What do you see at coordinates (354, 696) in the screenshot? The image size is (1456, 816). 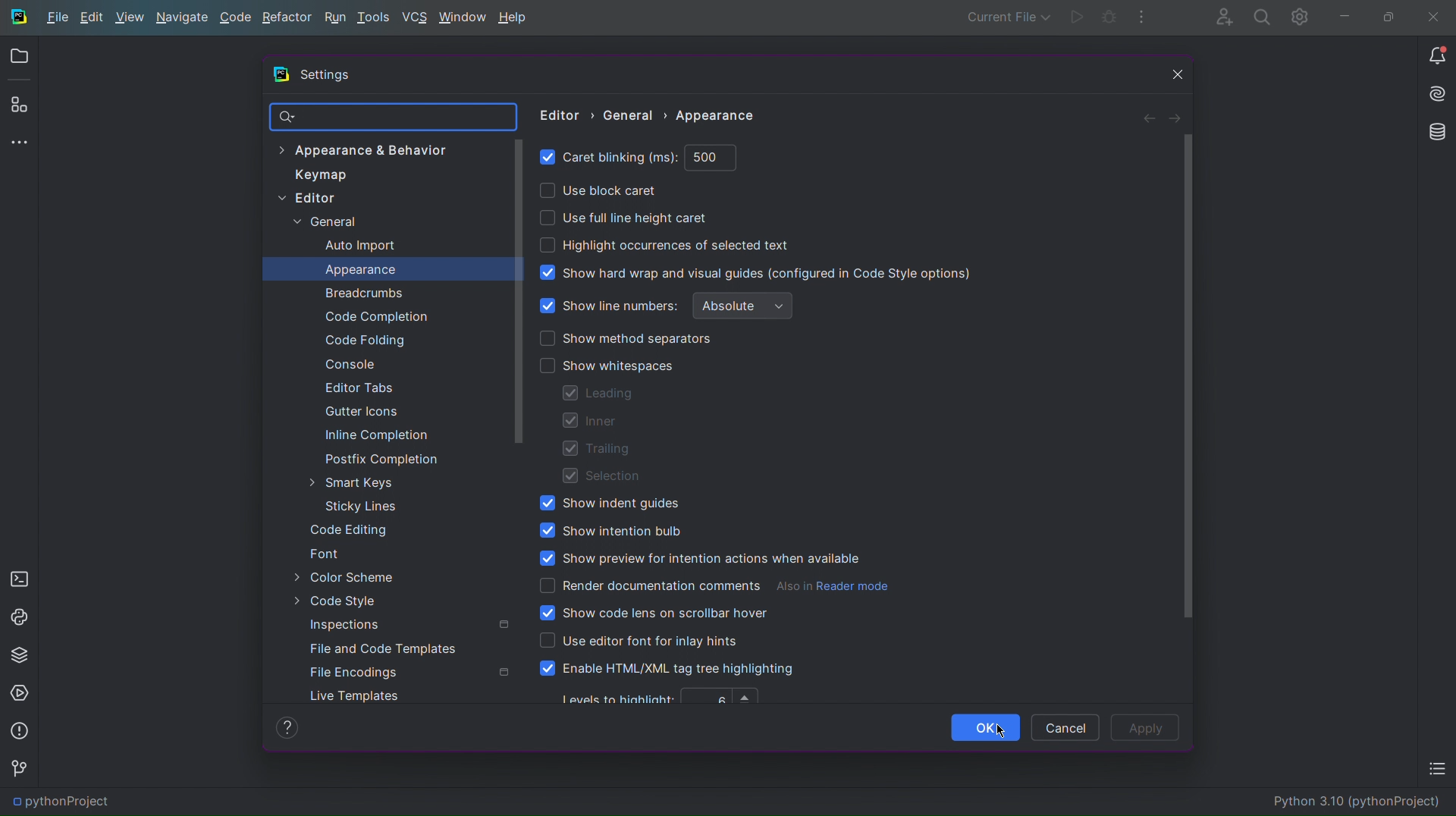 I see `Live Templates` at bounding box center [354, 696].